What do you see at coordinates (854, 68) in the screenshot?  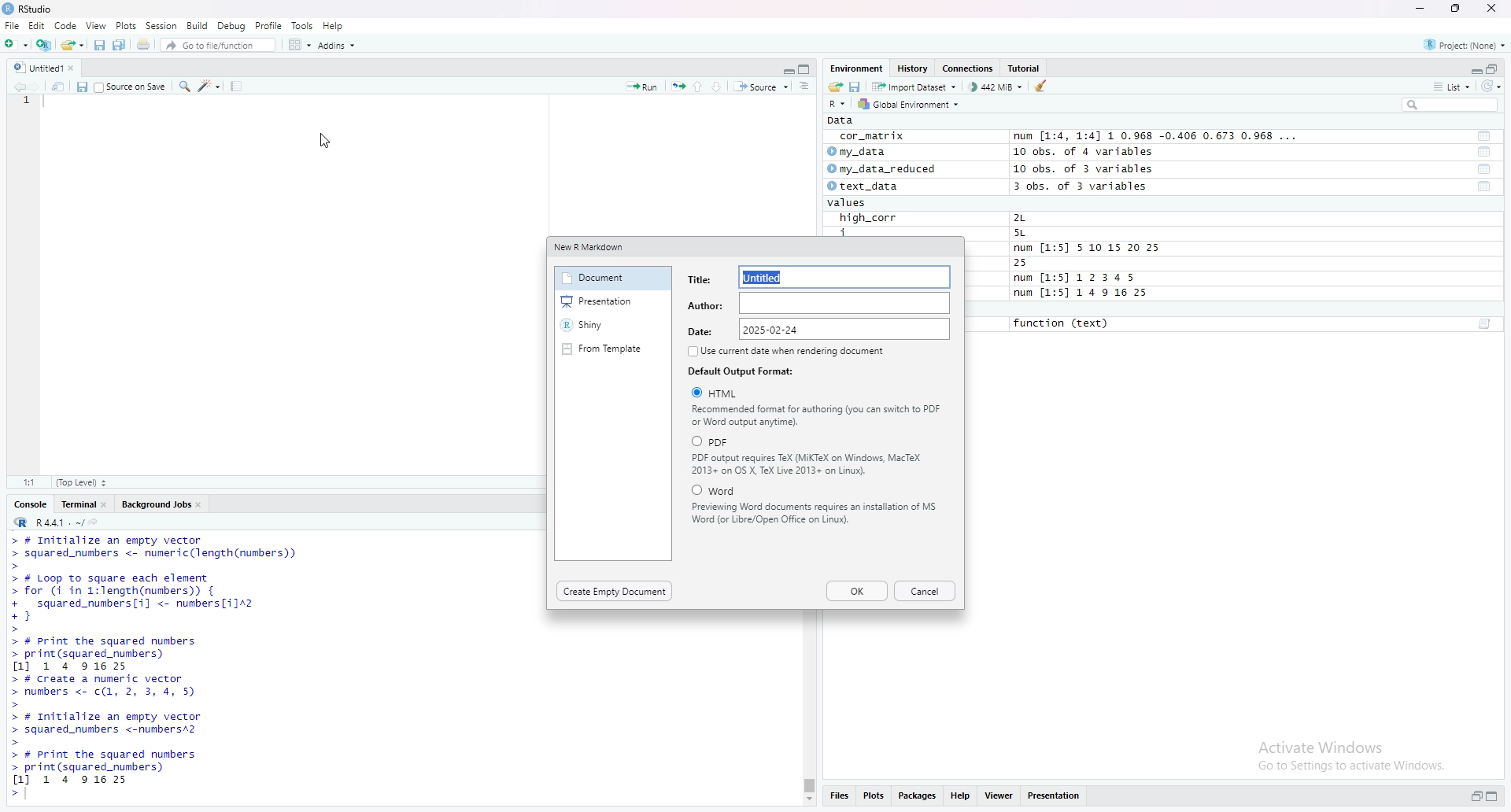 I see `Environment` at bounding box center [854, 68].